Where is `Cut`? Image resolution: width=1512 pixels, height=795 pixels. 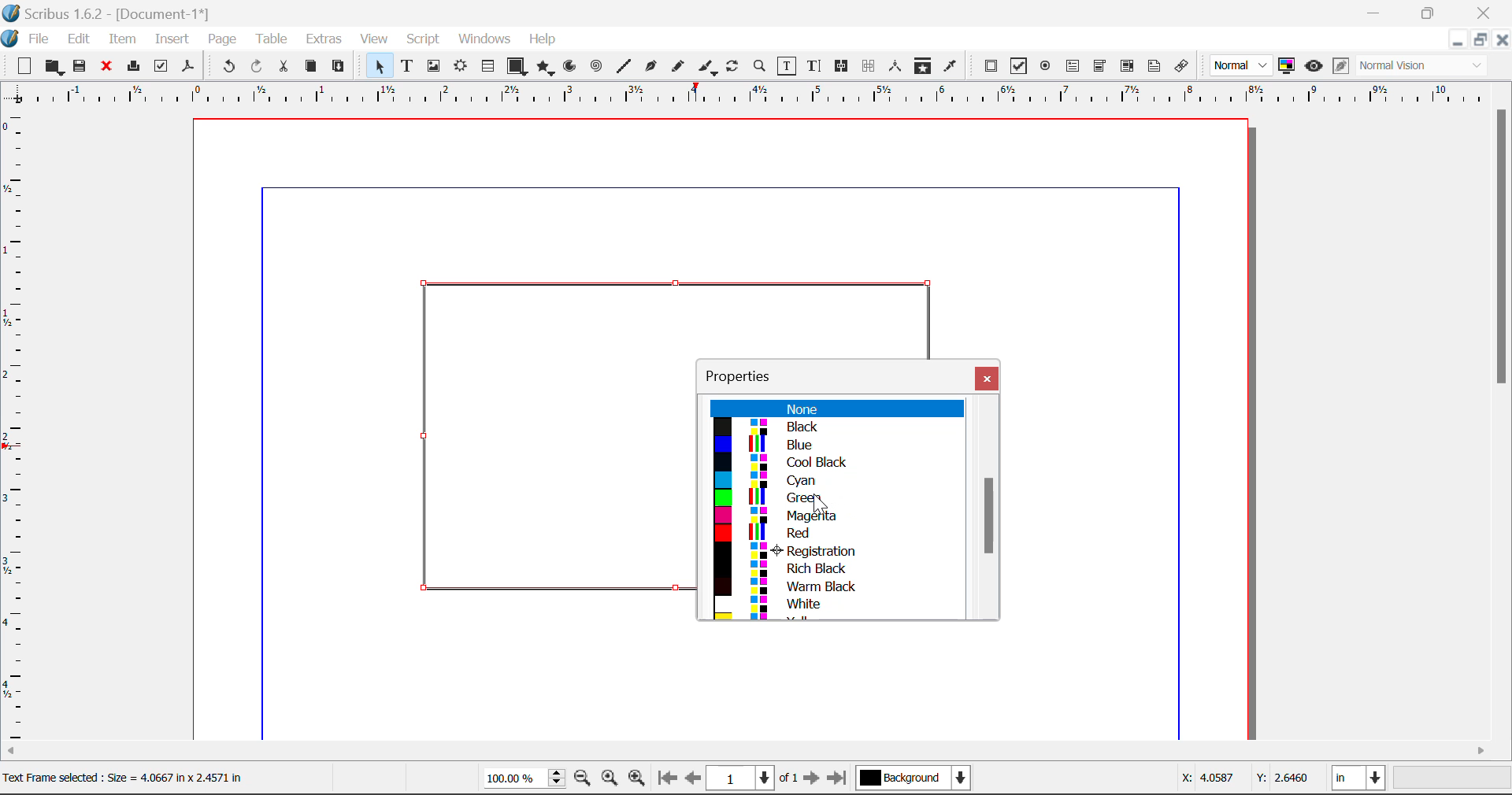 Cut is located at coordinates (285, 66).